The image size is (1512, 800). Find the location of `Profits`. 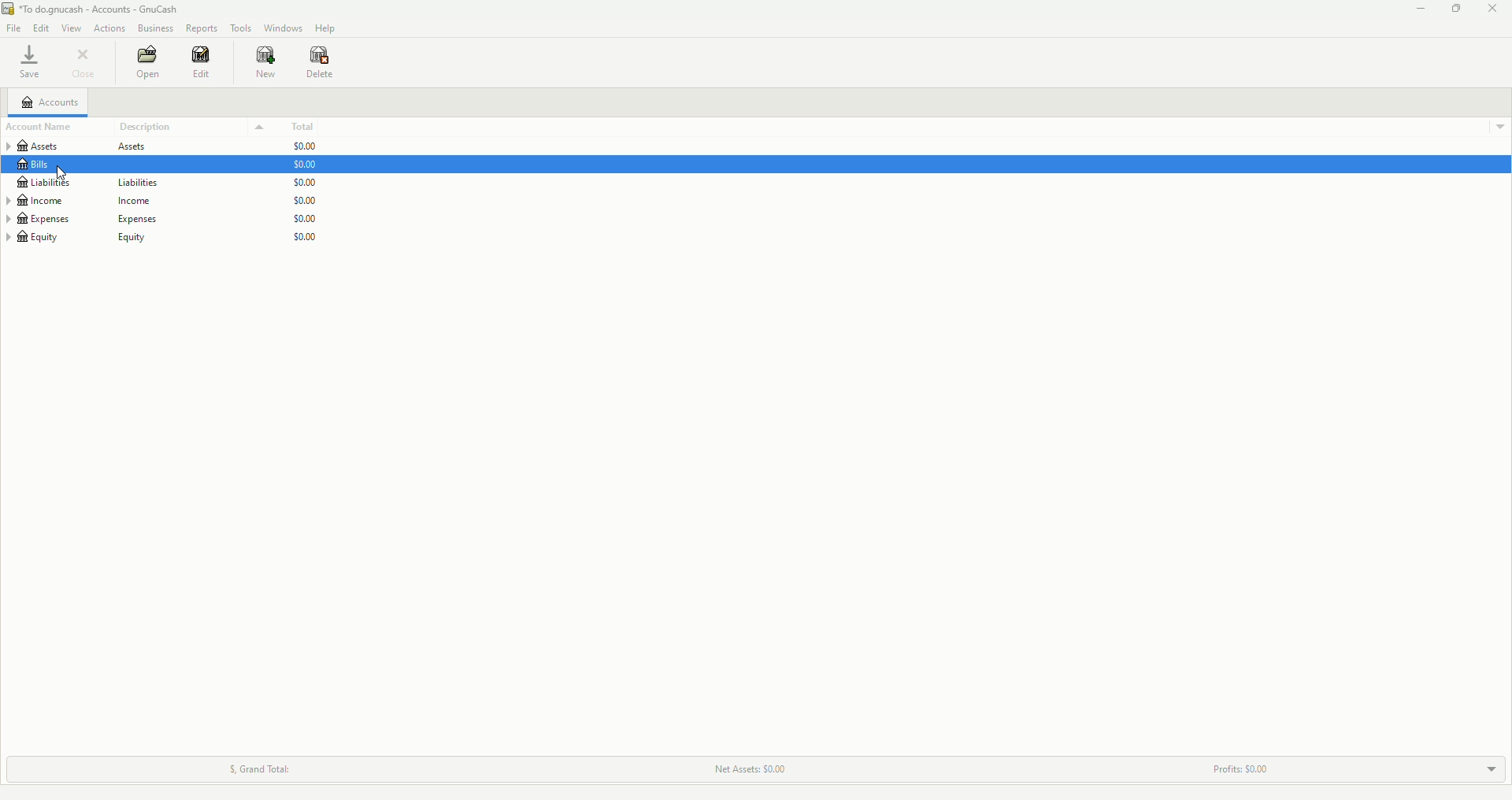

Profits is located at coordinates (1246, 765).